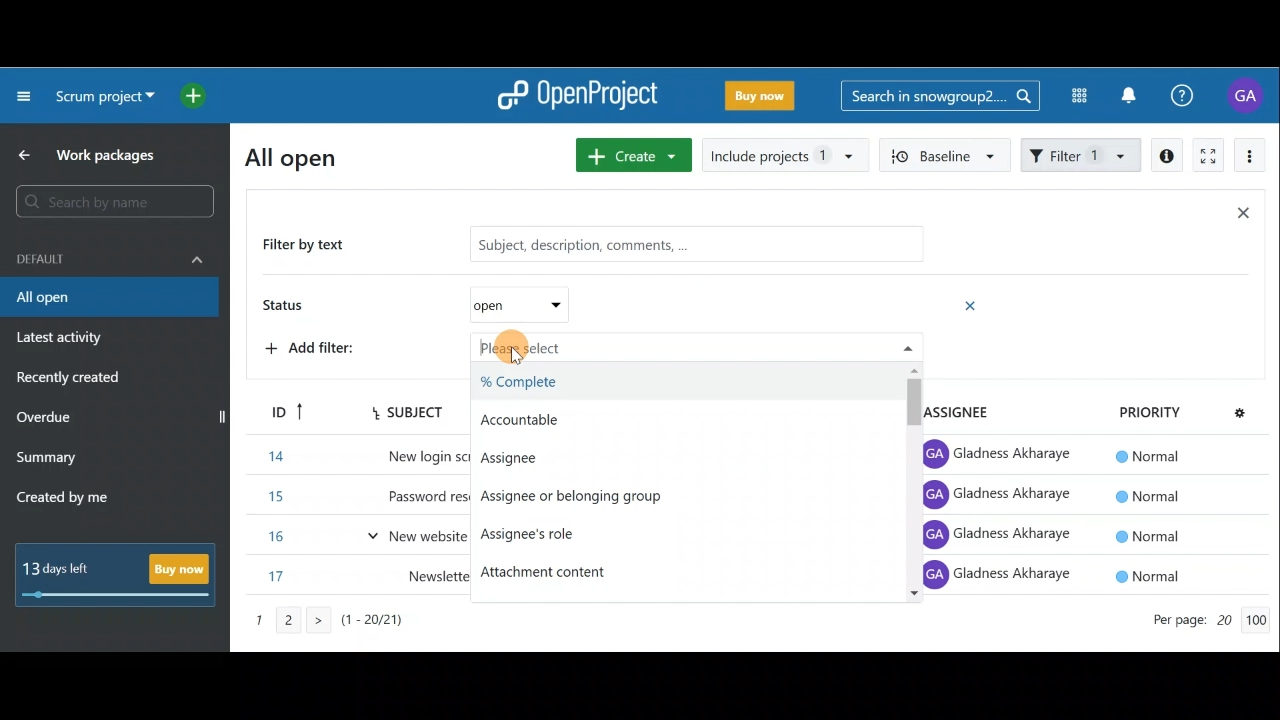 The width and height of the screenshot is (1280, 720). I want to click on Activate zen mode, so click(1206, 157).